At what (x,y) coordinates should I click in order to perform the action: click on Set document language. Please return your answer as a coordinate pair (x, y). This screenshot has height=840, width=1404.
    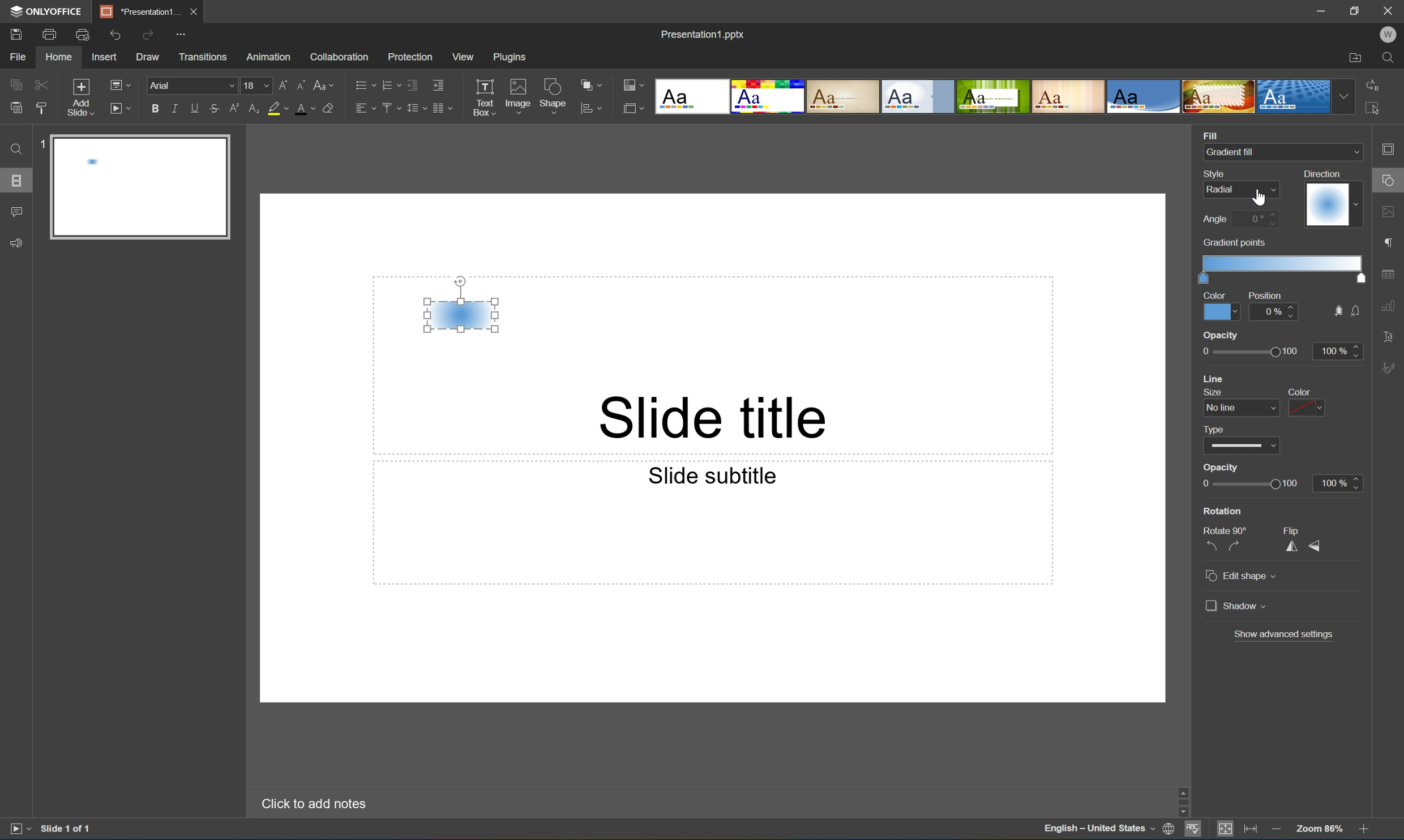
    Looking at the image, I should click on (1171, 830).